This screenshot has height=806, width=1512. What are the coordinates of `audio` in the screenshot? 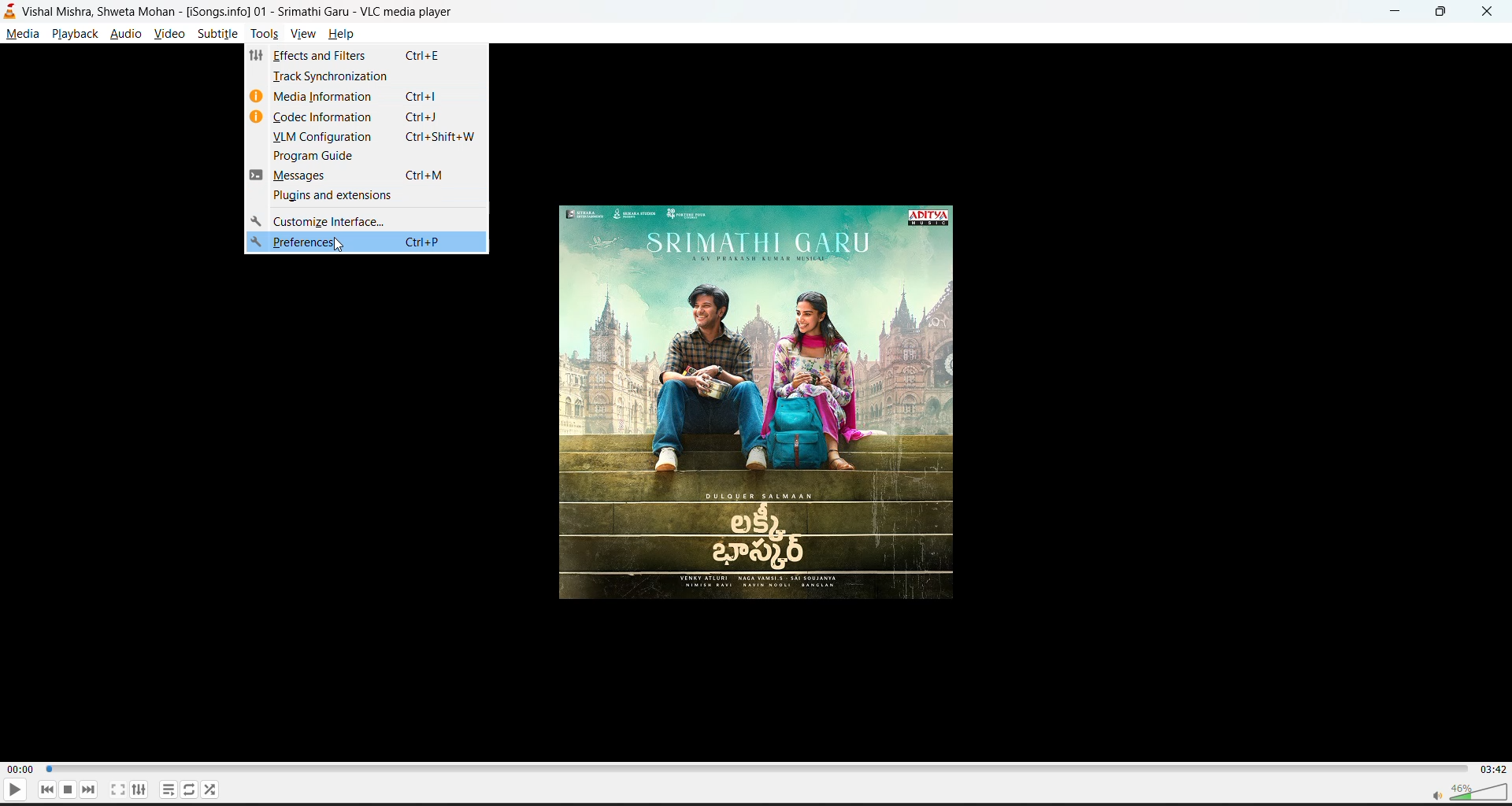 It's located at (127, 35).